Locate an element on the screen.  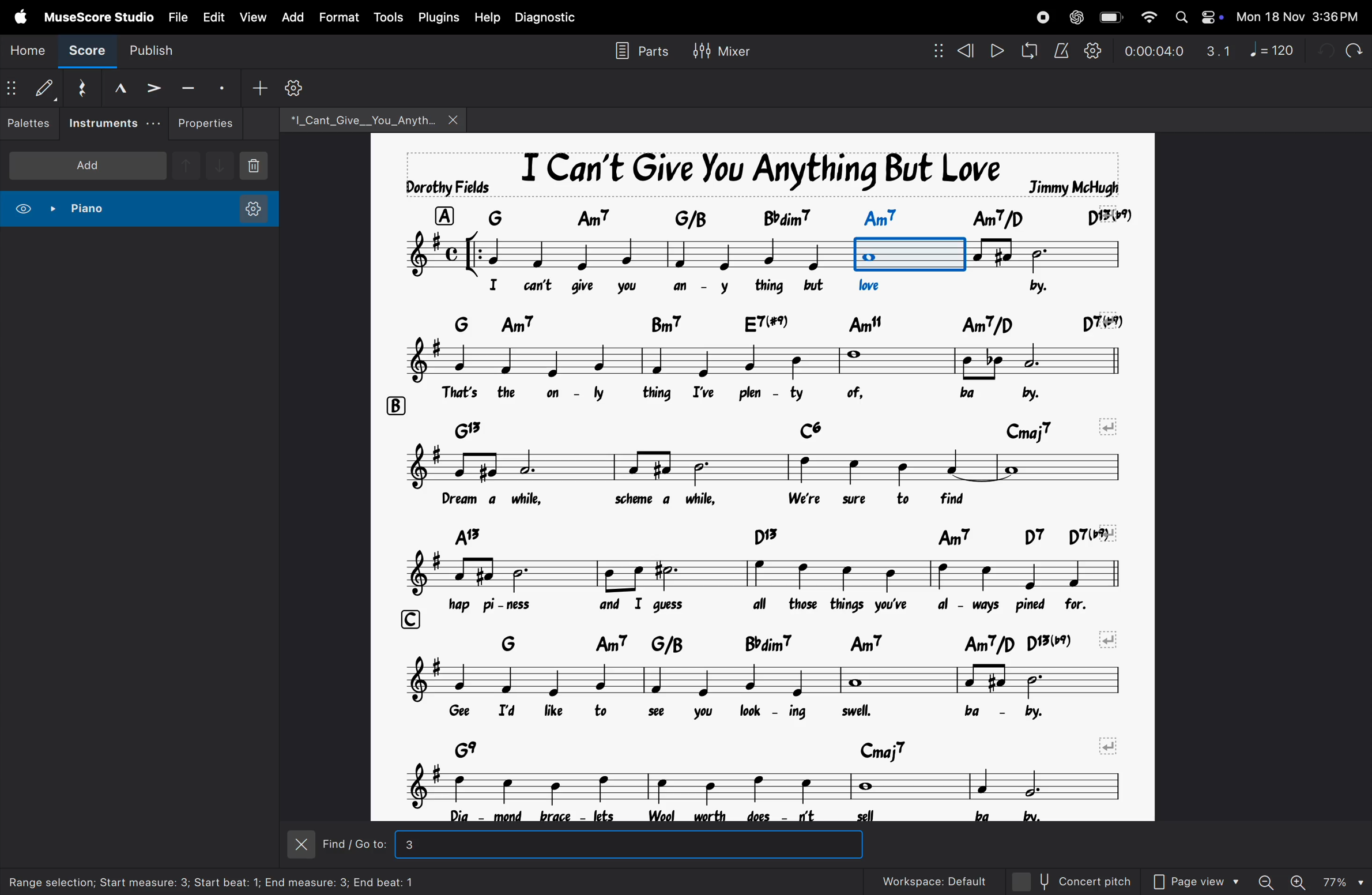
lyrics is located at coordinates (796, 606).